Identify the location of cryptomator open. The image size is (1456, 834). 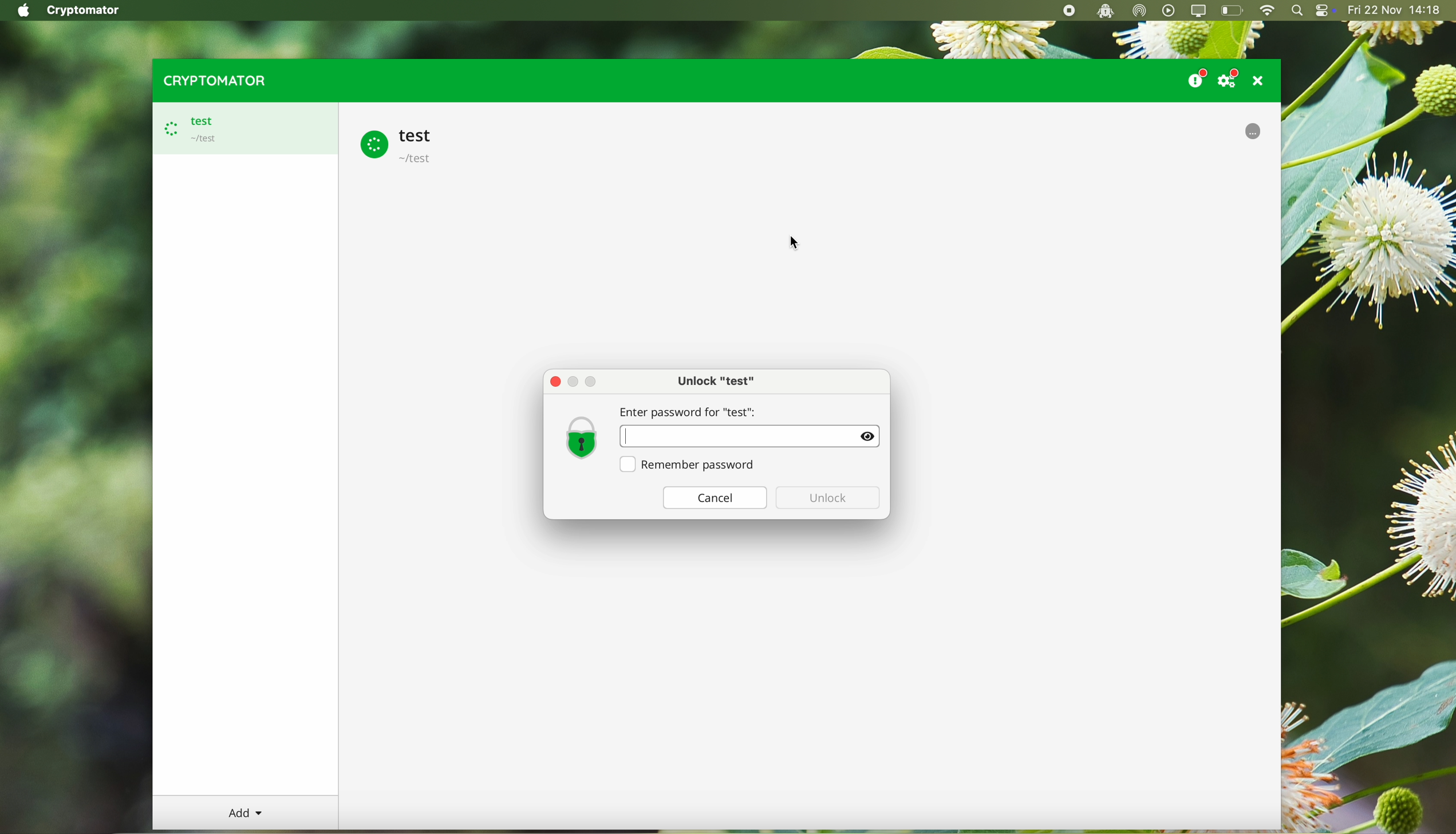
(1103, 11).